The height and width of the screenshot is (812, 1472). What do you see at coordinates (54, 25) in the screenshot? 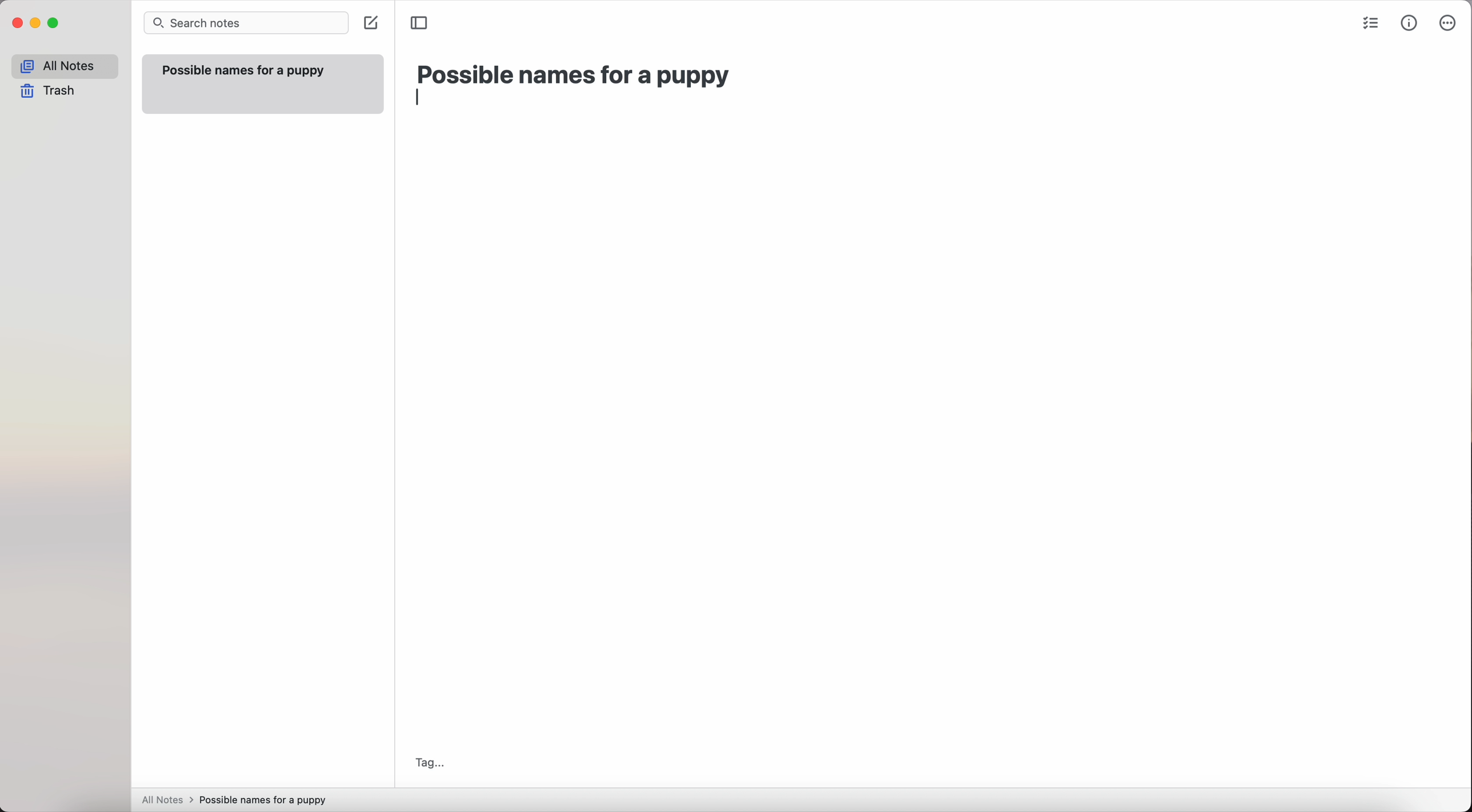
I see `maximize` at bounding box center [54, 25].